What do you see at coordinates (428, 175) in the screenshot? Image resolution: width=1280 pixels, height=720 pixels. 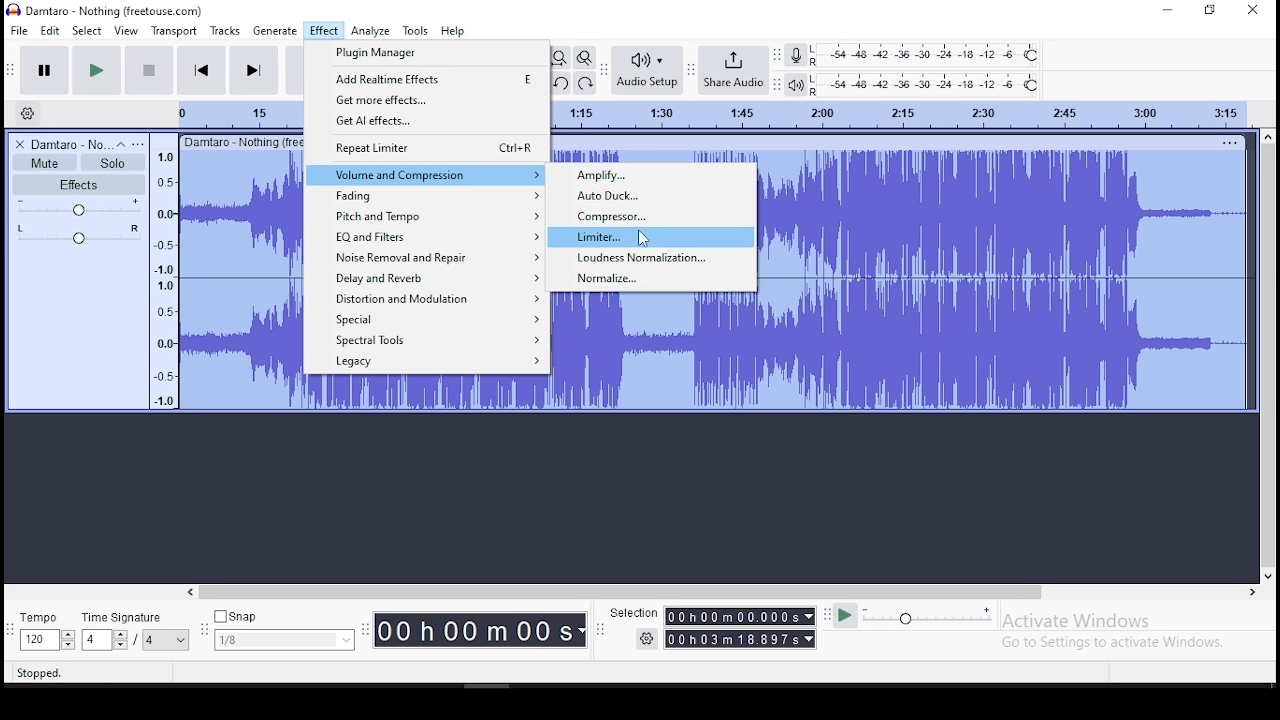 I see `volume and compression` at bounding box center [428, 175].